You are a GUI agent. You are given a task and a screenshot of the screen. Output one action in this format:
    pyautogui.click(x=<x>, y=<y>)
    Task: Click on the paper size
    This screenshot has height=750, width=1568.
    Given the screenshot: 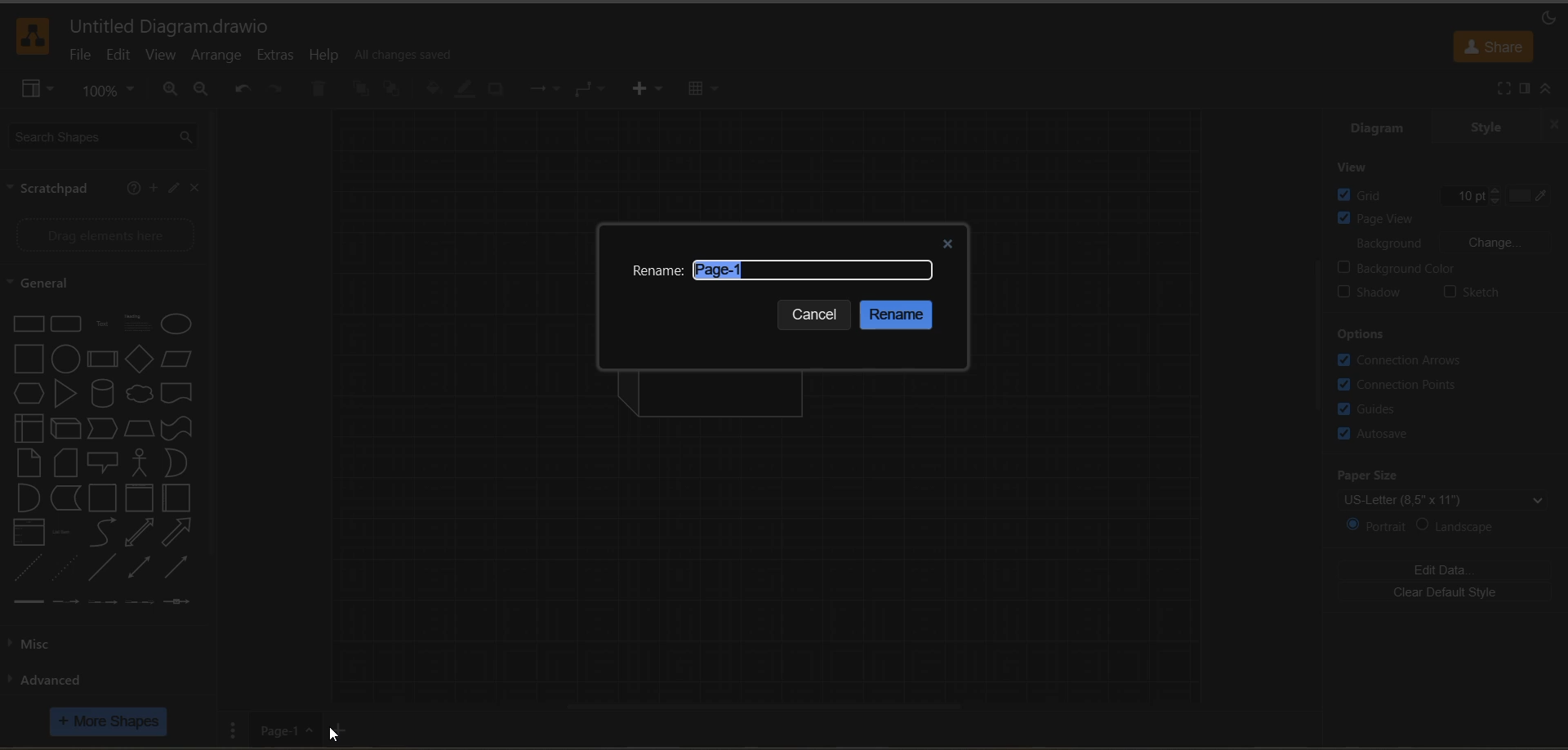 What is the action you would take?
    pyautogui.click(x=1452, y=488)
    